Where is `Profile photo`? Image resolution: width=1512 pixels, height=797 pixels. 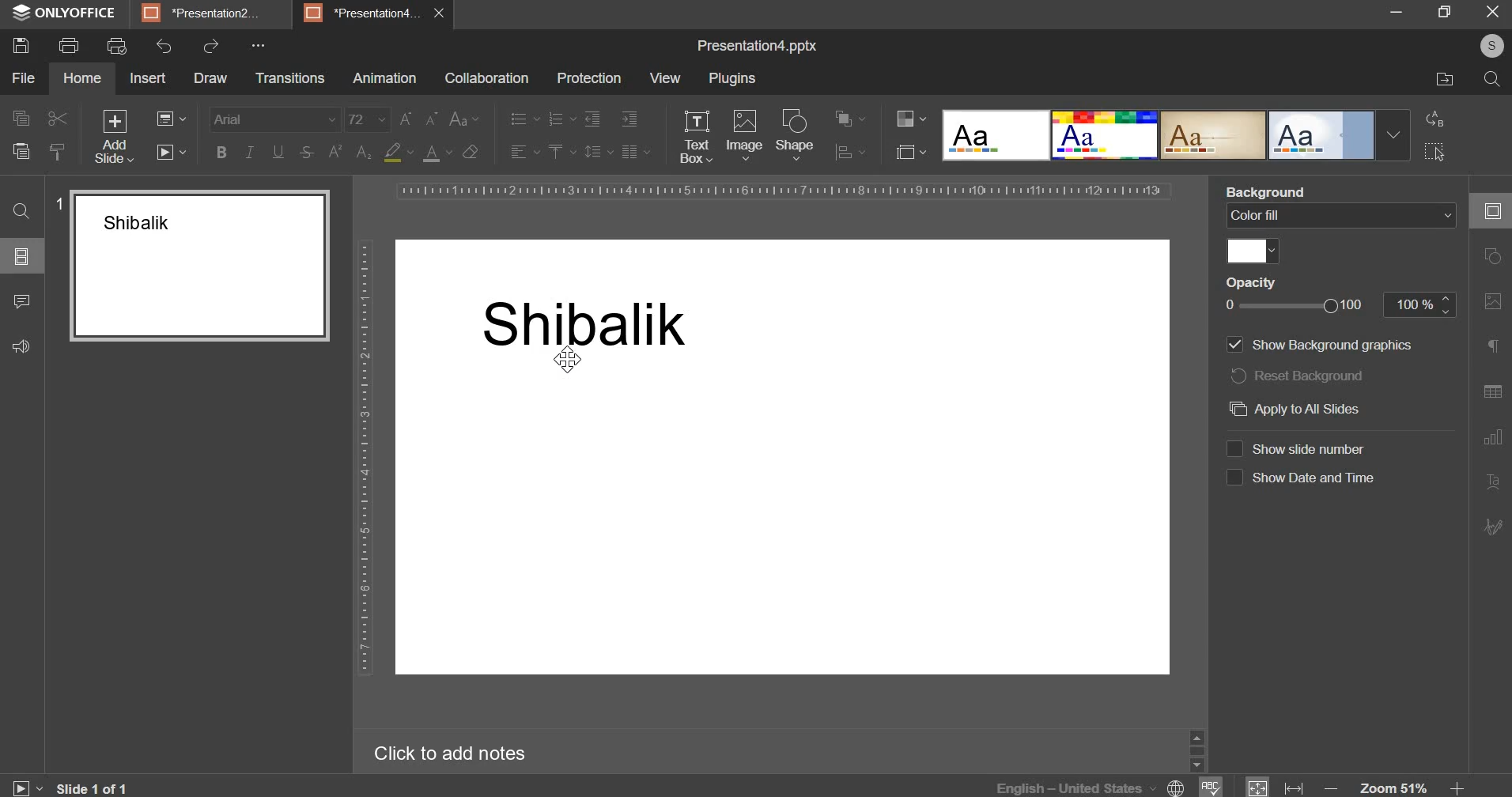 Profile photo is located at coordinates (1486, 46).